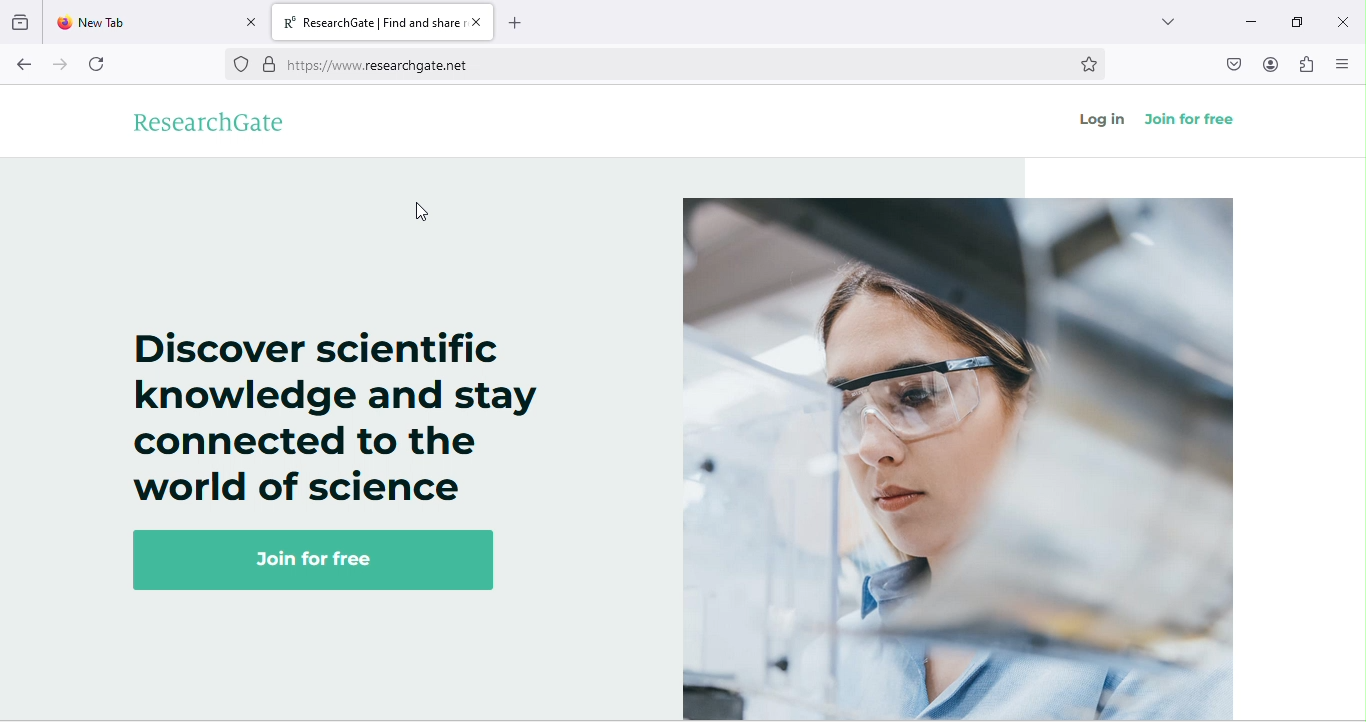 Image resolution: width=1366 pixels, height=722 pixels. Describe the element at coordinates (22, 22) in the screenshot. I see `group` at that location.